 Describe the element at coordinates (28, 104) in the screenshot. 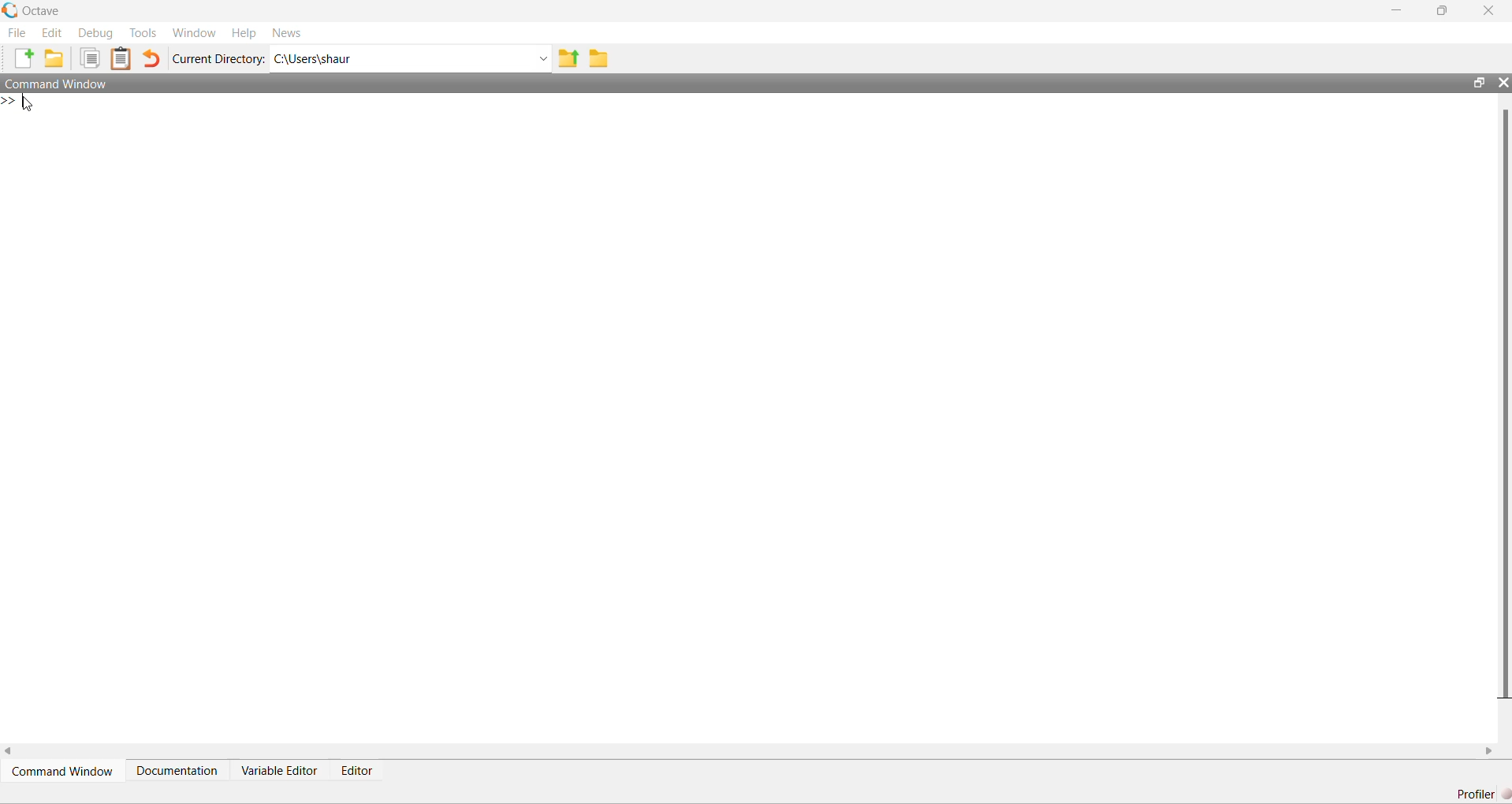

I see `cursor` at that location.